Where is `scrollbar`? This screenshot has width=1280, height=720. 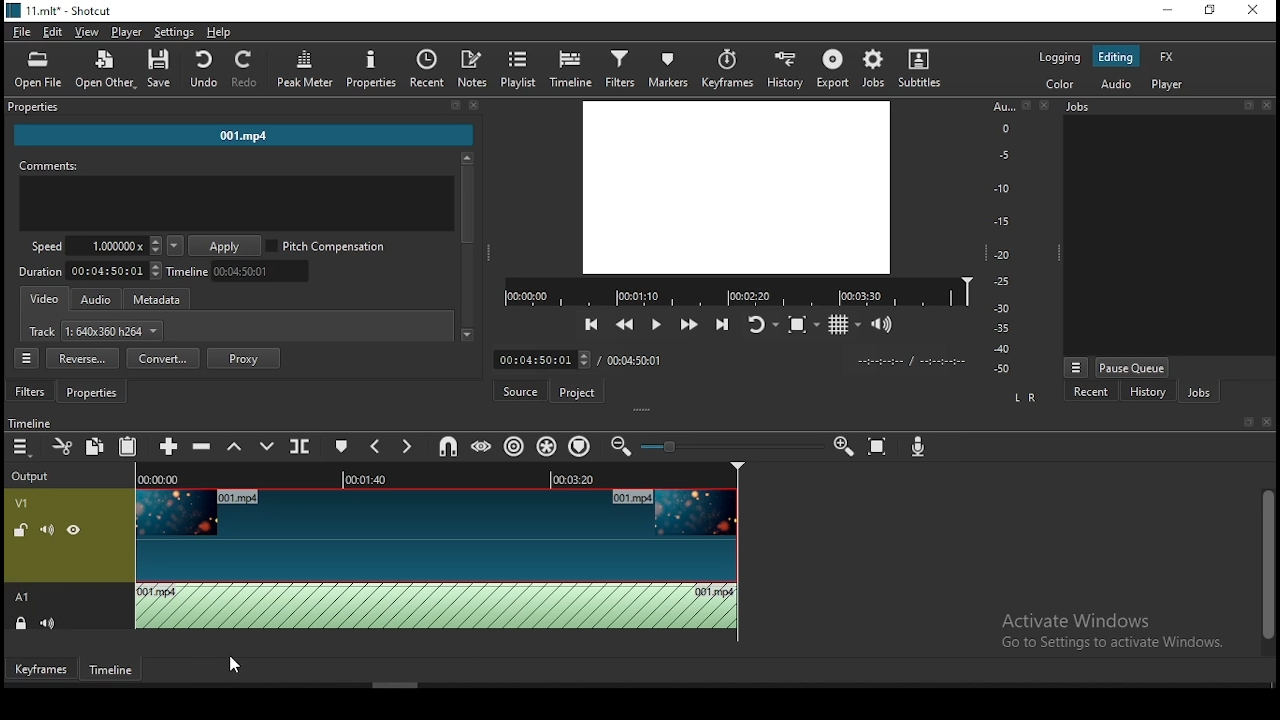 scrollbar is located at coordinates (1266, 567).